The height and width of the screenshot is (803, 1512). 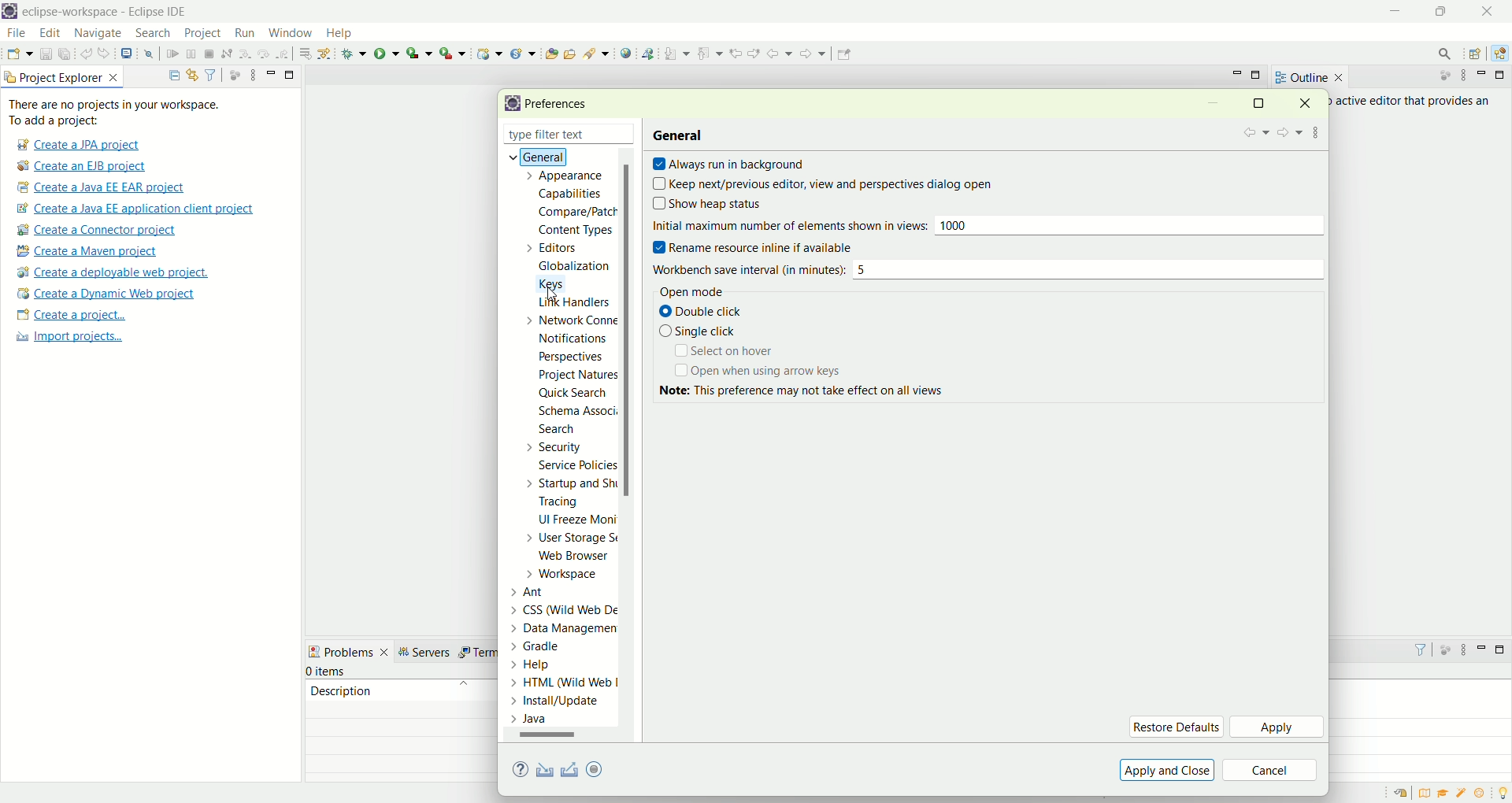 I want to click on resume, so click(x=173, y=55).